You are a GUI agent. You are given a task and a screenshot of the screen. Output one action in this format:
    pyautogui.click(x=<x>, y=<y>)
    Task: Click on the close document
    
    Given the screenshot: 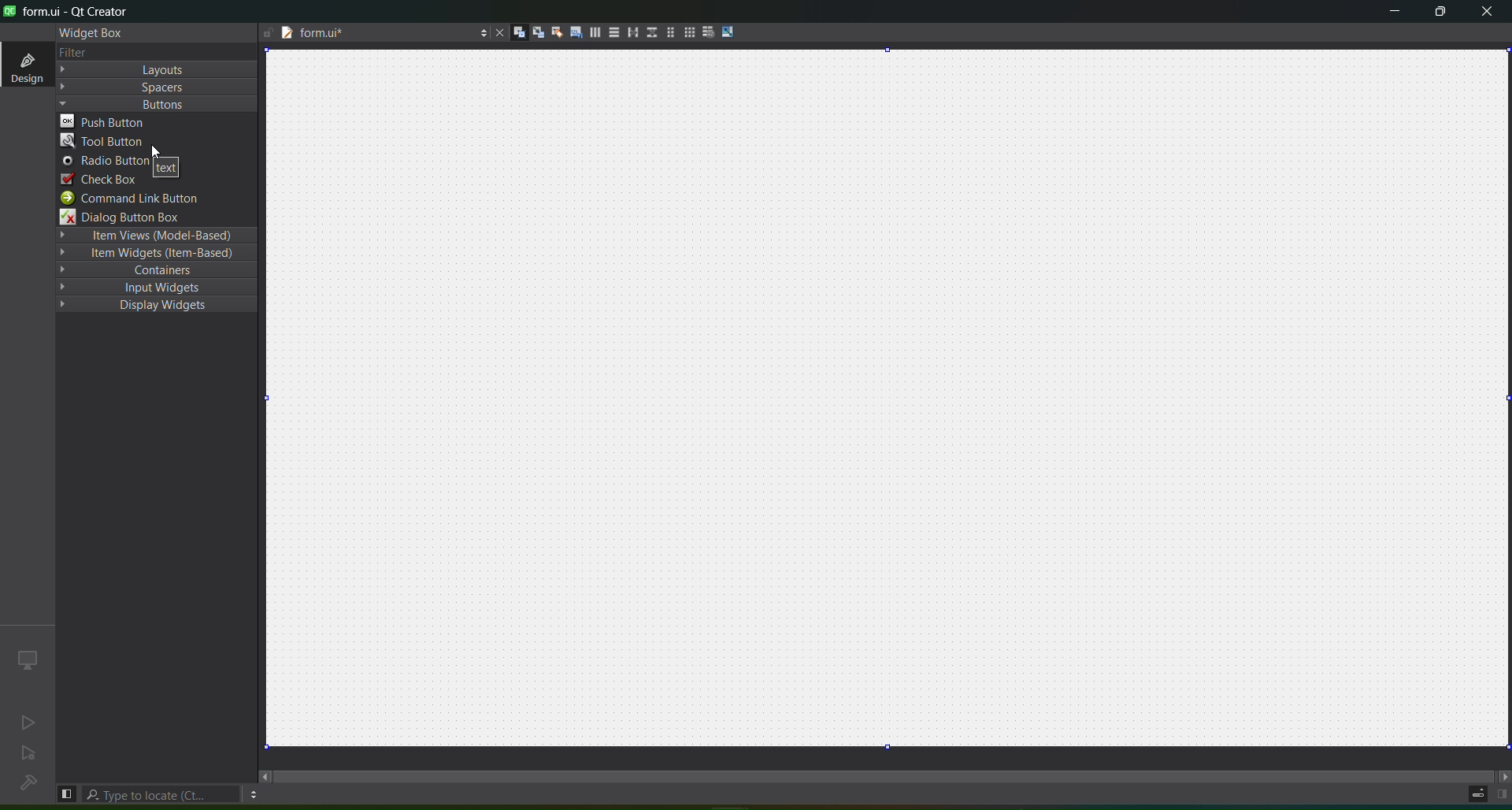 What is the action you would take?
    pyautogui.click(x=498, y=33)
    